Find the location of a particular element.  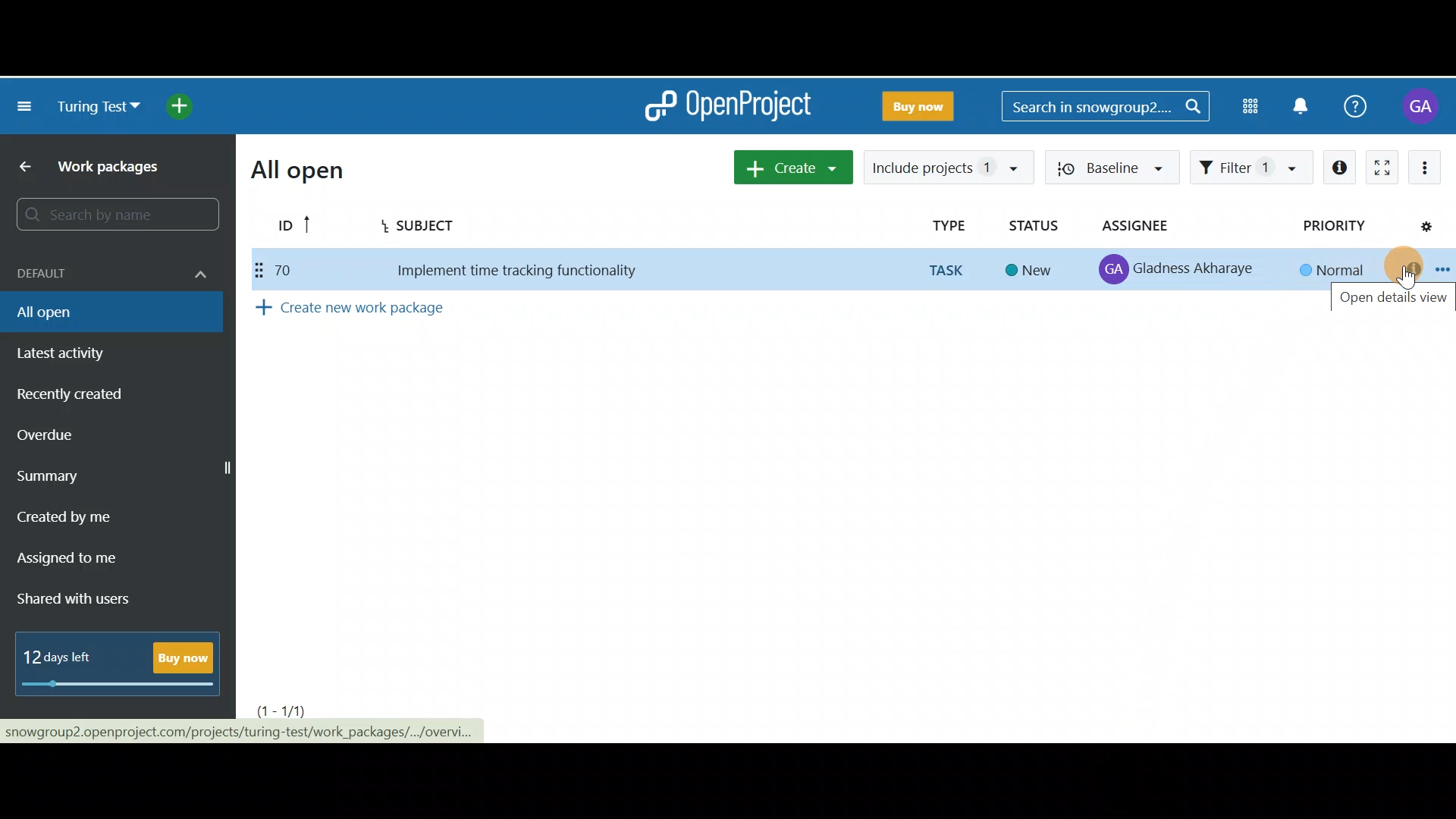

Back is located at coordinates (19, 168).